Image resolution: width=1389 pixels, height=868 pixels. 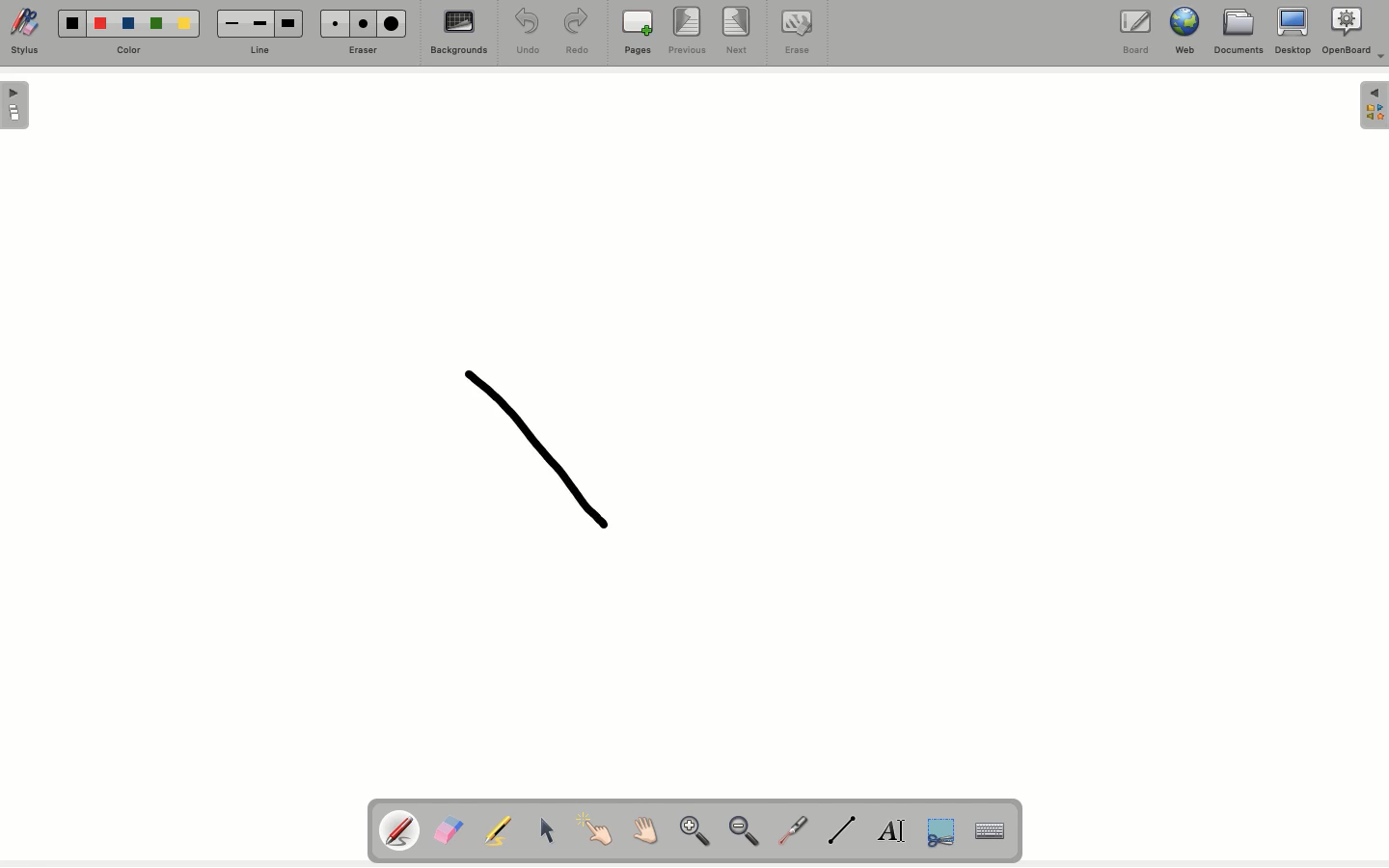 I want to click on Yellow, so click(x=187, y=26).